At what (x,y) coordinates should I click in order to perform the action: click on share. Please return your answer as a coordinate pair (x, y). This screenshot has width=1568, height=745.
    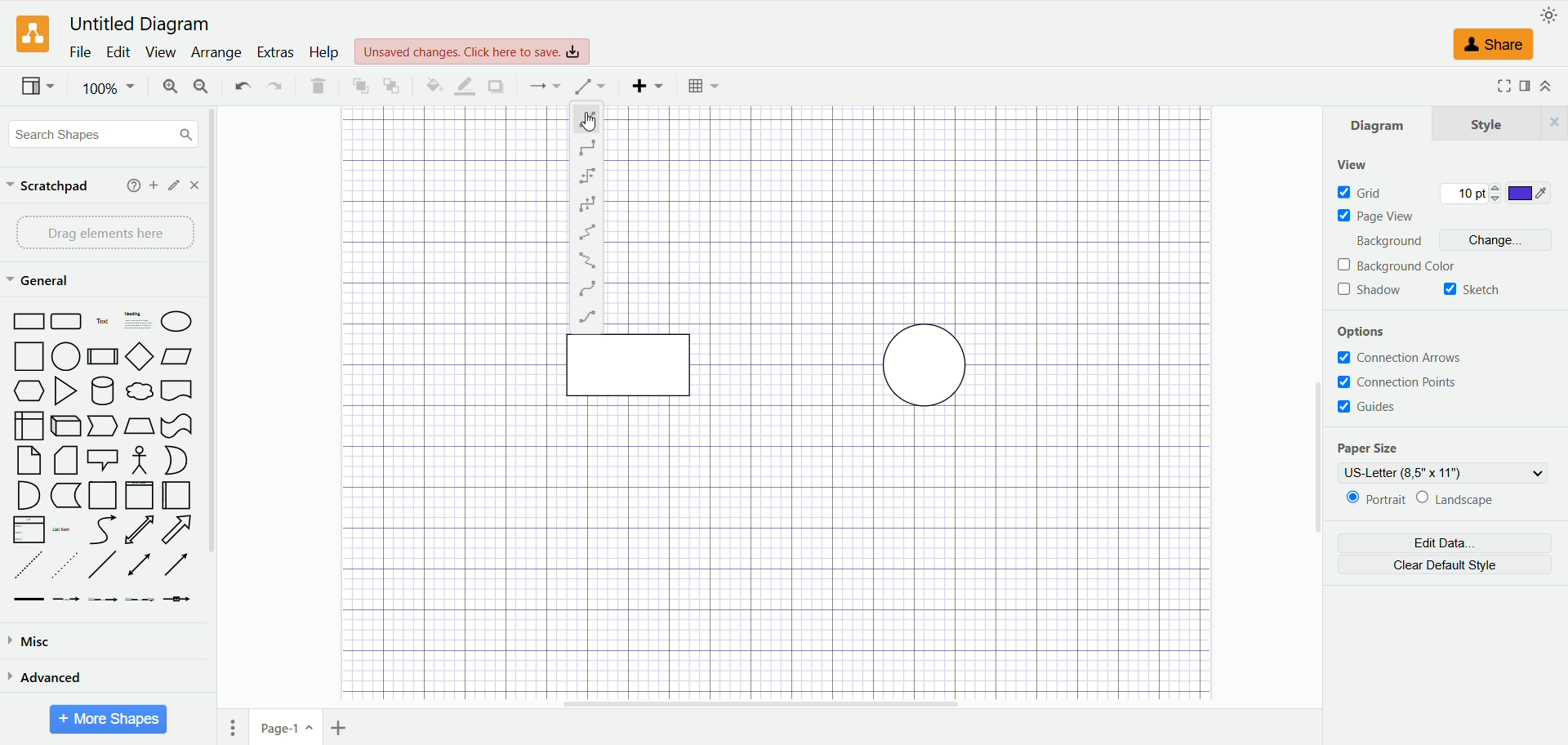
    Looking at the image, I should click on (1493, 45).